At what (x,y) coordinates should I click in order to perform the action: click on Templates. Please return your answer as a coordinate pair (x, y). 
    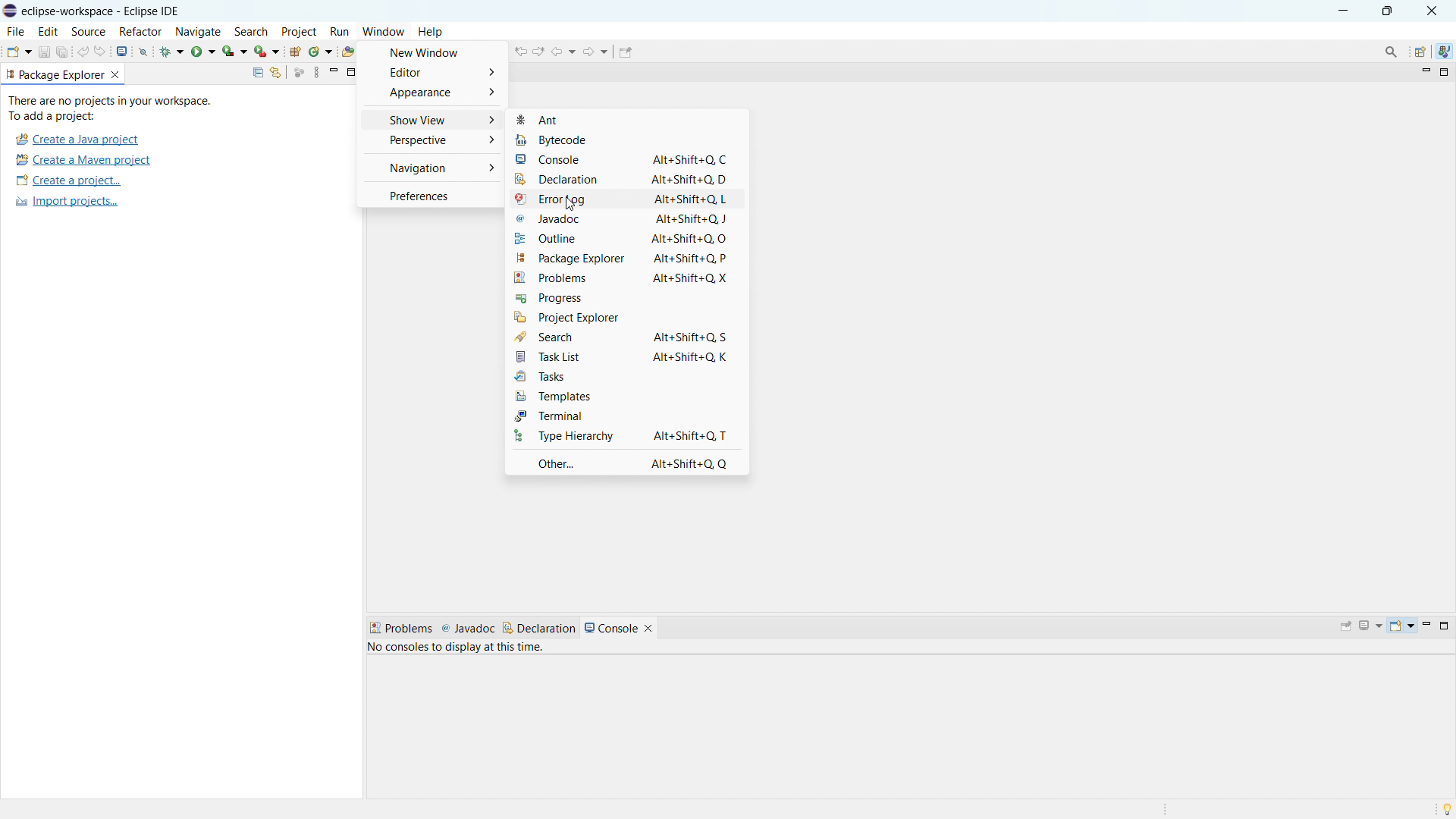
    Looking at the image, I should click on (608, 396).